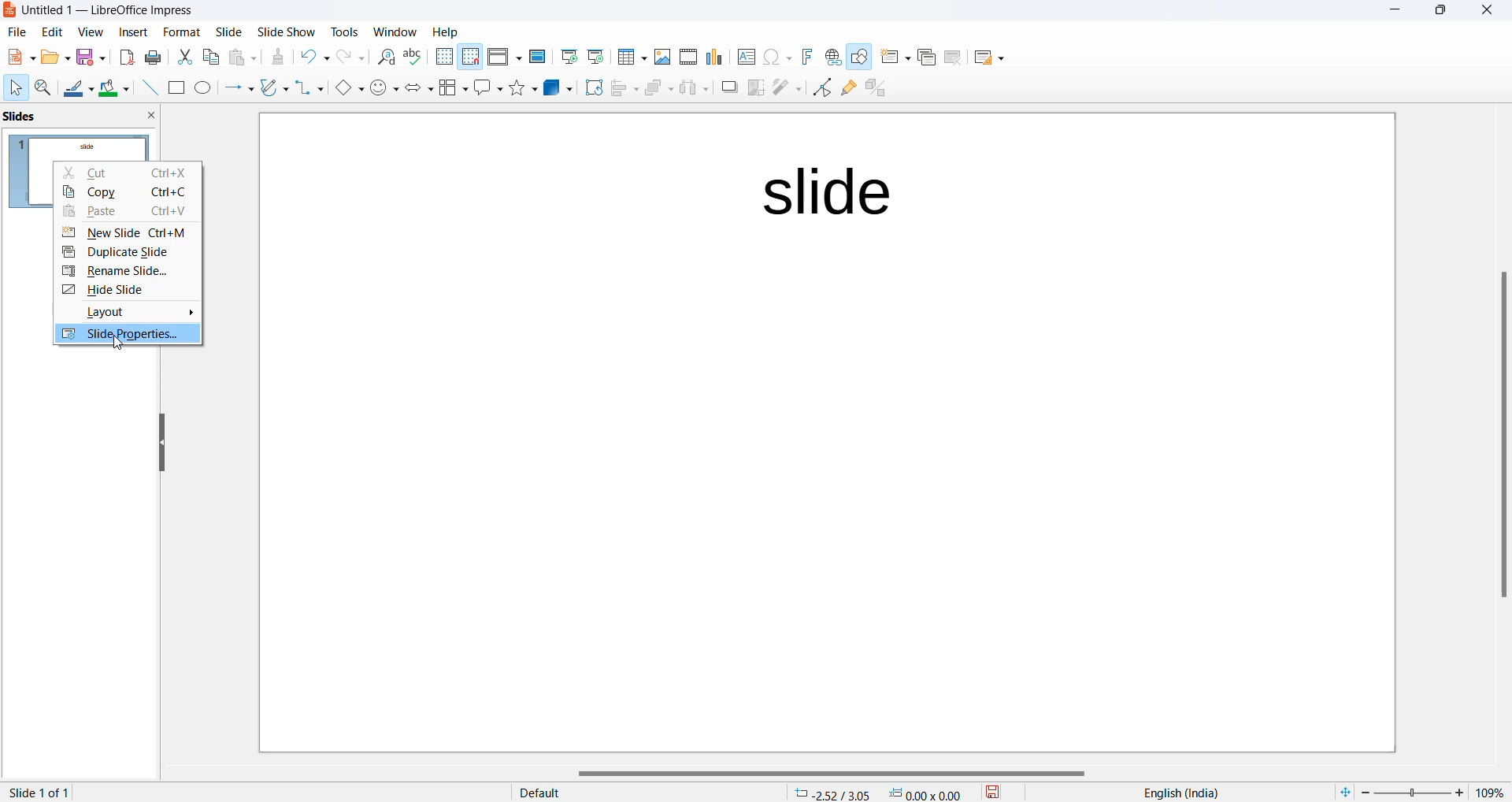 The image size is (1512, 802). What do you see at coordinates (595, 56) in the screenshot?
I see `start from current slide` at bounding box center [595, 56].